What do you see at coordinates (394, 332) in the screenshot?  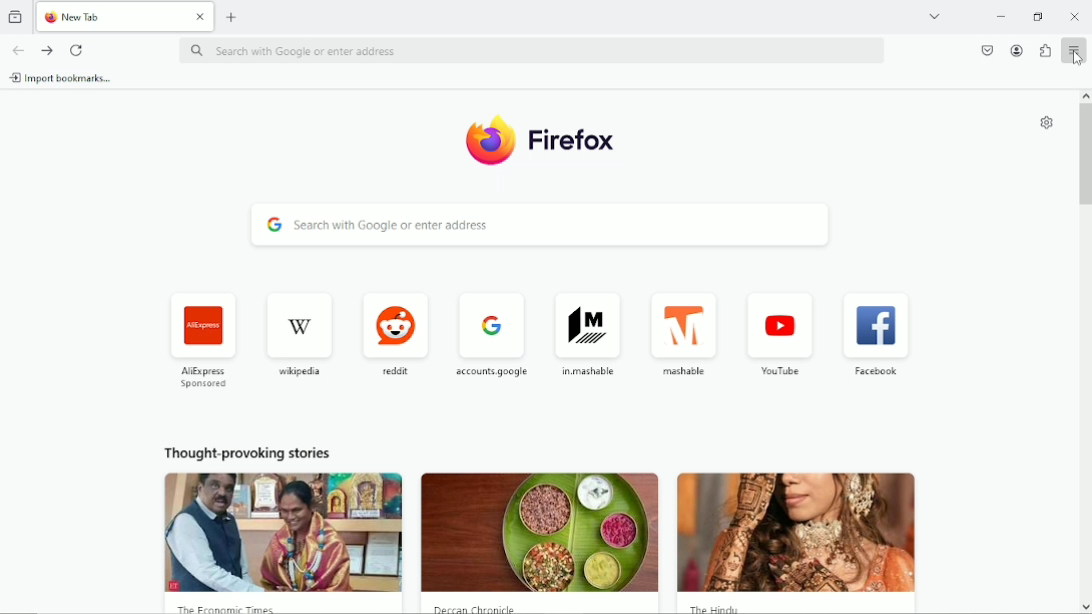 I see `reddit` at bounding box center [394, 332].